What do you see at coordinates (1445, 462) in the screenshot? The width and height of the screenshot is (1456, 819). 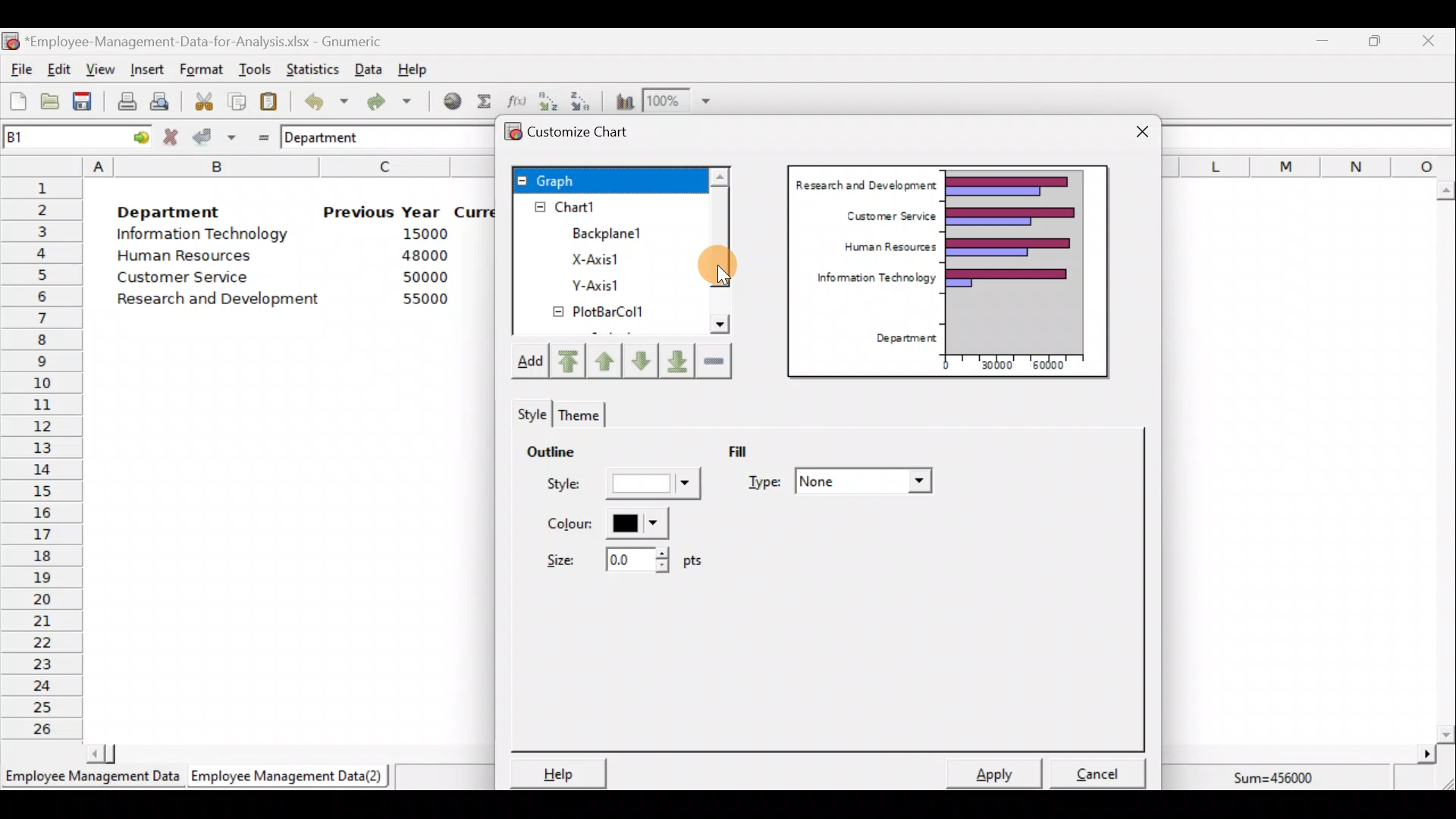 I see `Scroll bar` at bounding box center [1445, 462].